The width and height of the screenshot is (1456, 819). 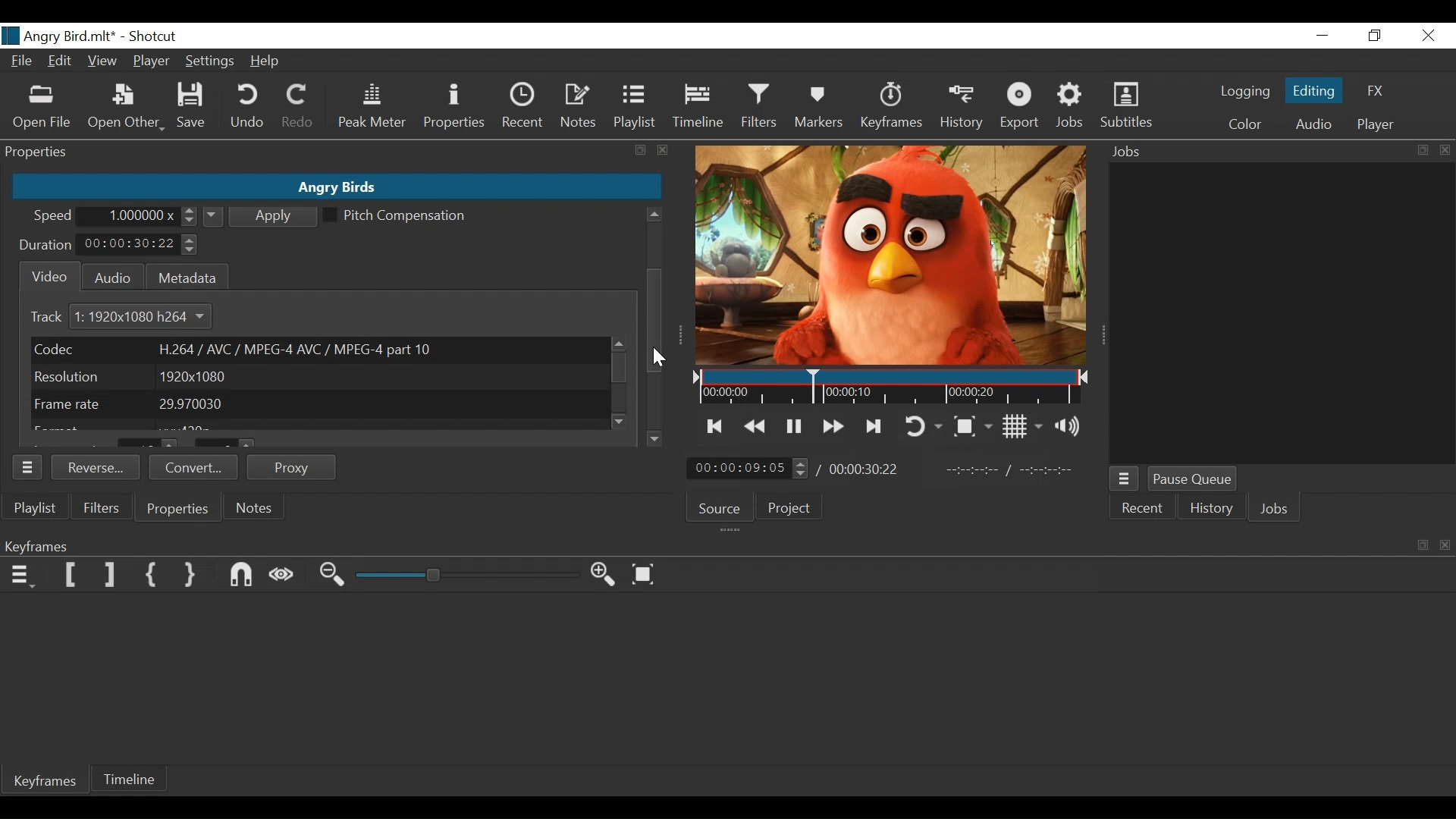 What do you see at coordinates (453, 108) in the screenshot?
I see `Properties` at bounding box center [453, 108].